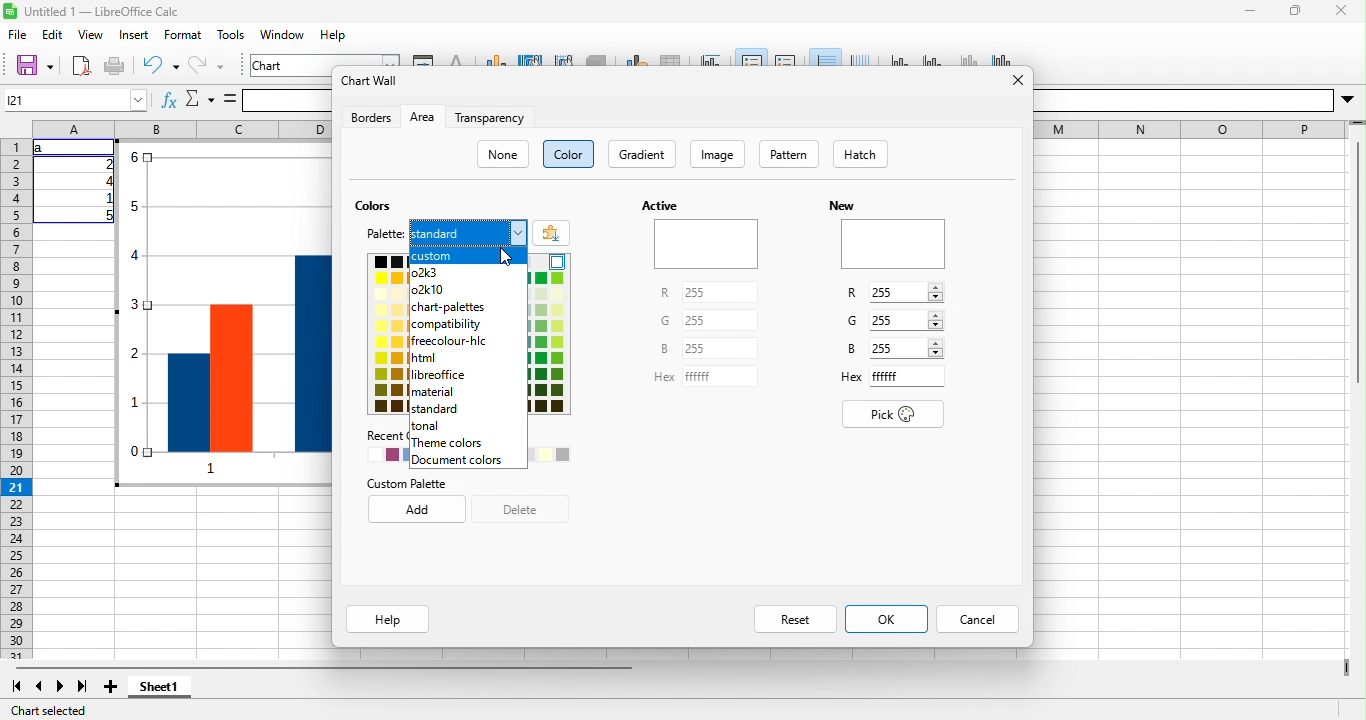 This screenshot has height=720, width=1366. Describe the element at coordinates (42, 148) in the screenshot. I see `a` at that location.